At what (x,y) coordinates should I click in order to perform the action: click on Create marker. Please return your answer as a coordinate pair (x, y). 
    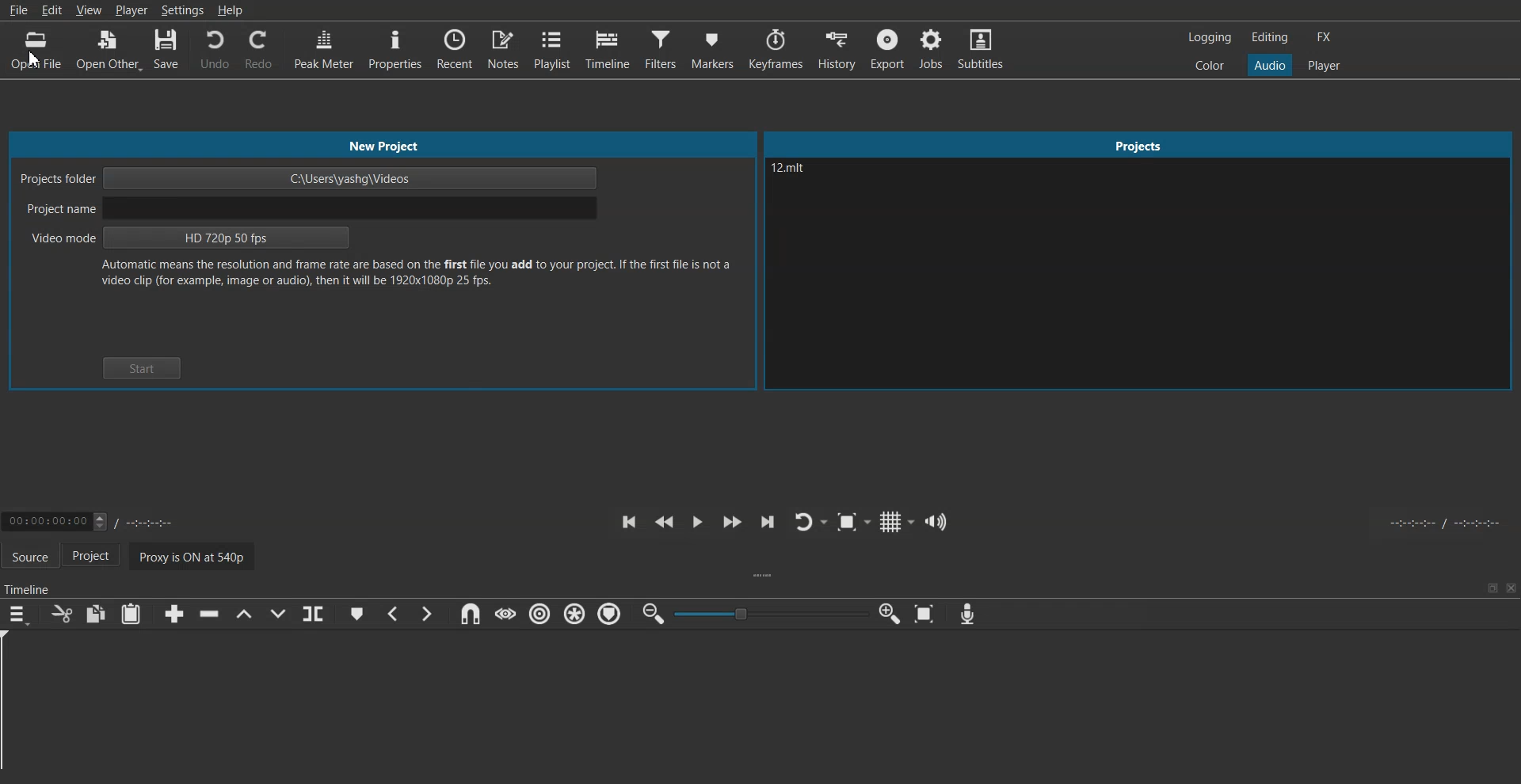
    Looking at the image, I should click on (356, 614).